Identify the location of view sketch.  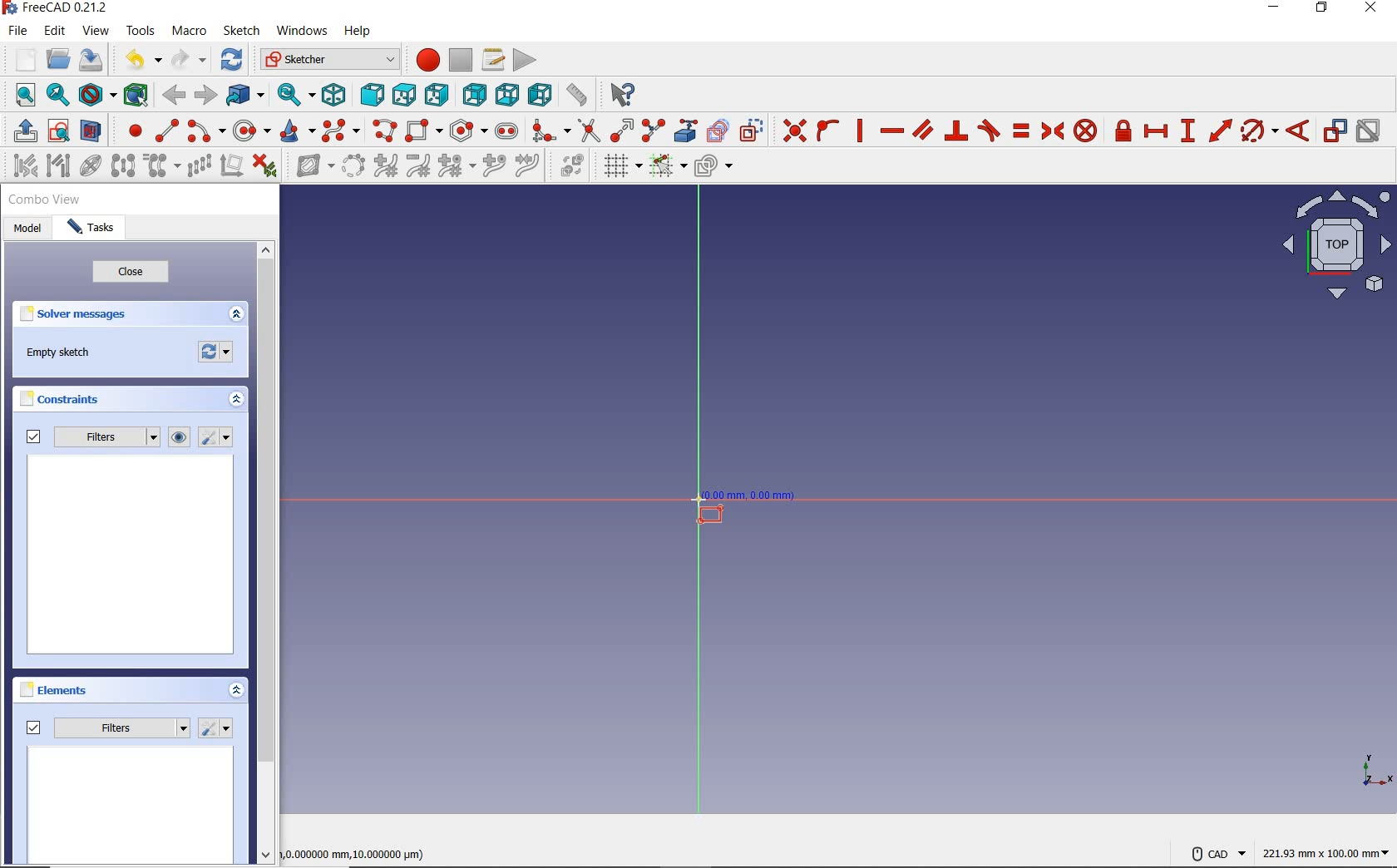
(59, 132).